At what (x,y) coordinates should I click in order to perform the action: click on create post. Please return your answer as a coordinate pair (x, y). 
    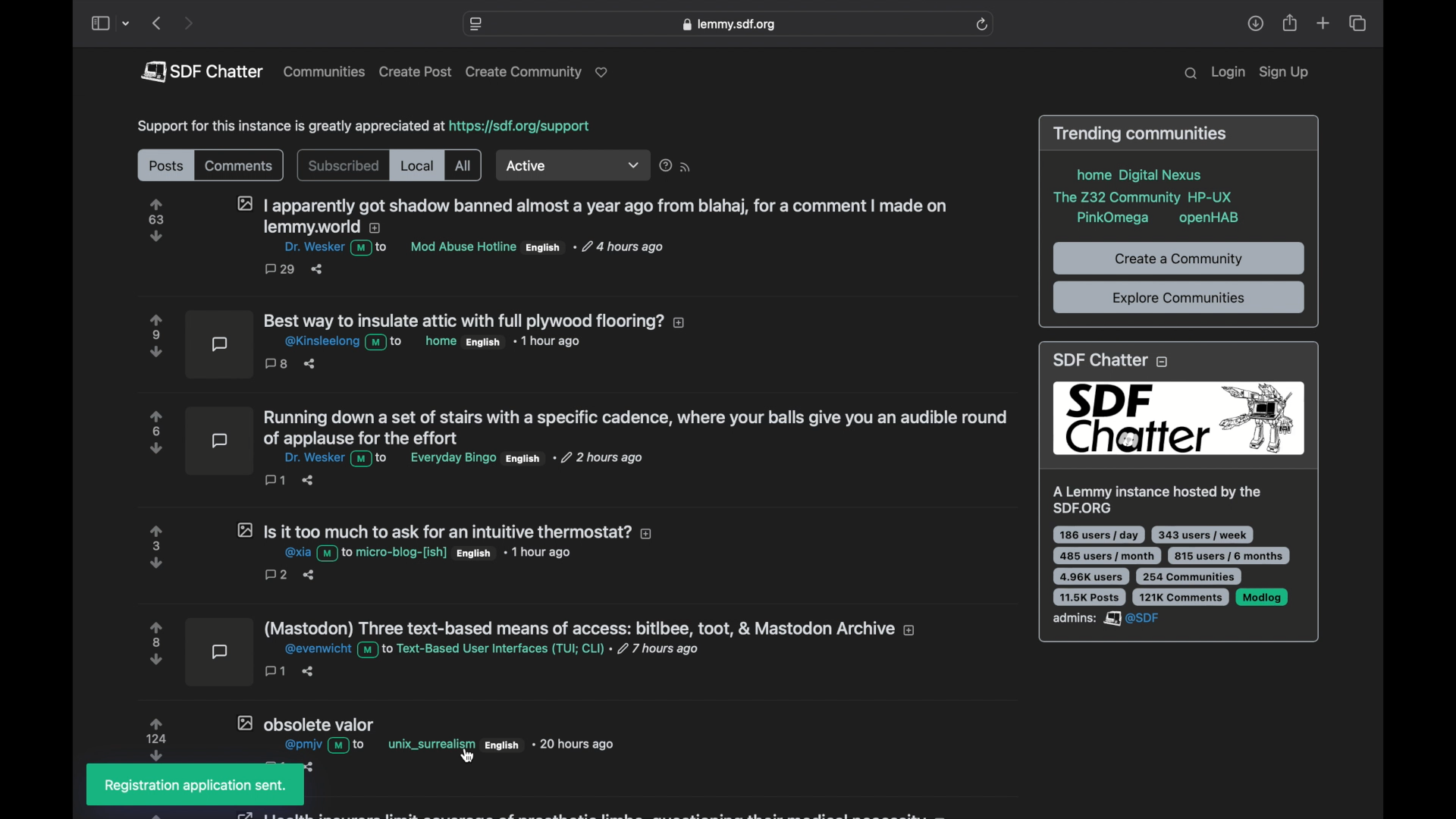
    Looking at the image, I should click on (416, 72).